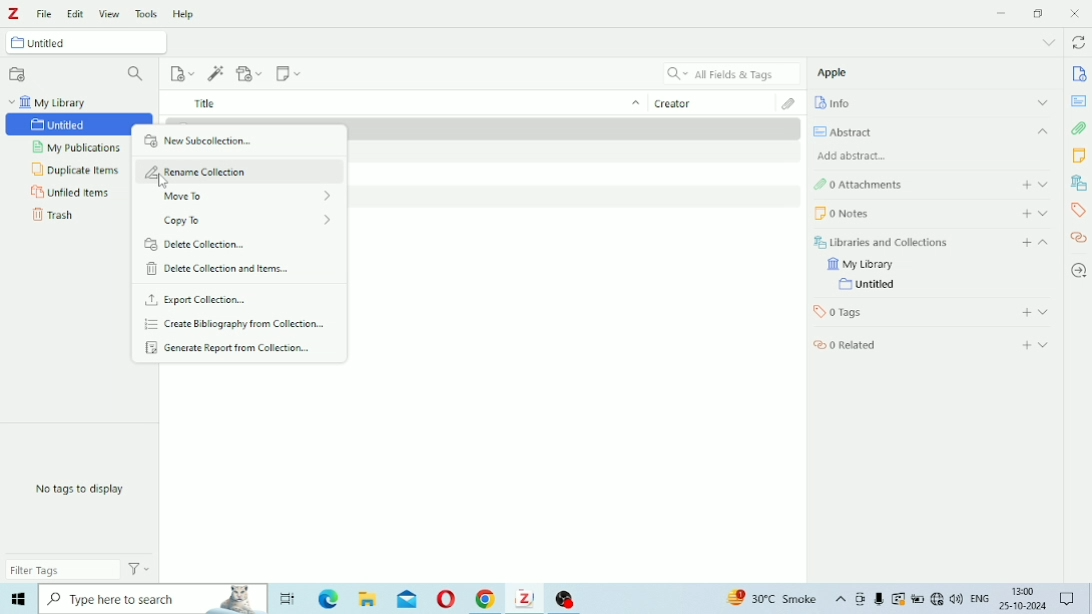 This screenshot has width=1092, height=614. What do you see at coordinates (880, 242) in the screenshot?
I see `Libraries and Collections` at bounding box center [880, 242].